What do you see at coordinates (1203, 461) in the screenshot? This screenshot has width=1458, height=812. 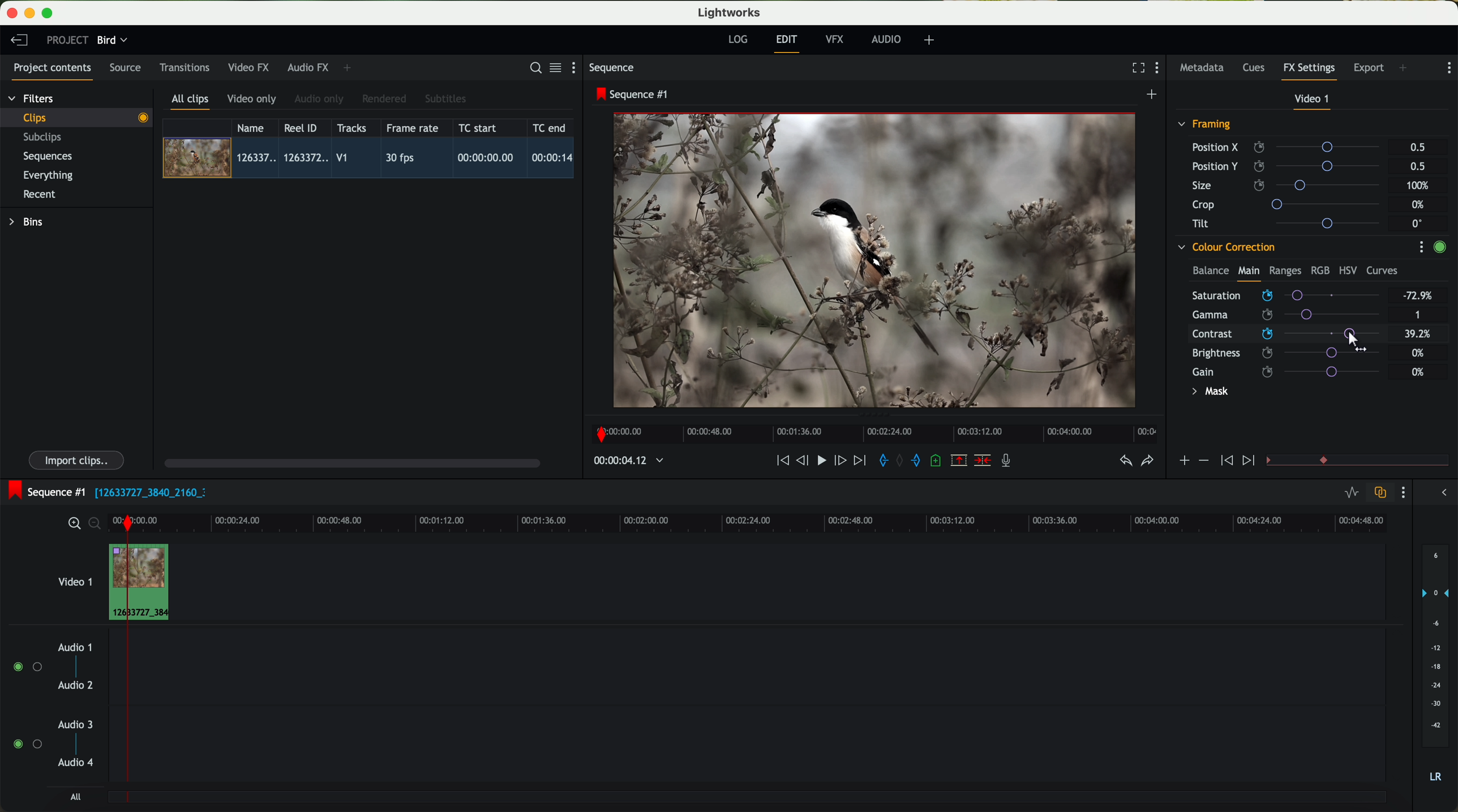 I see `icon` at bounding box center [1203, 461].